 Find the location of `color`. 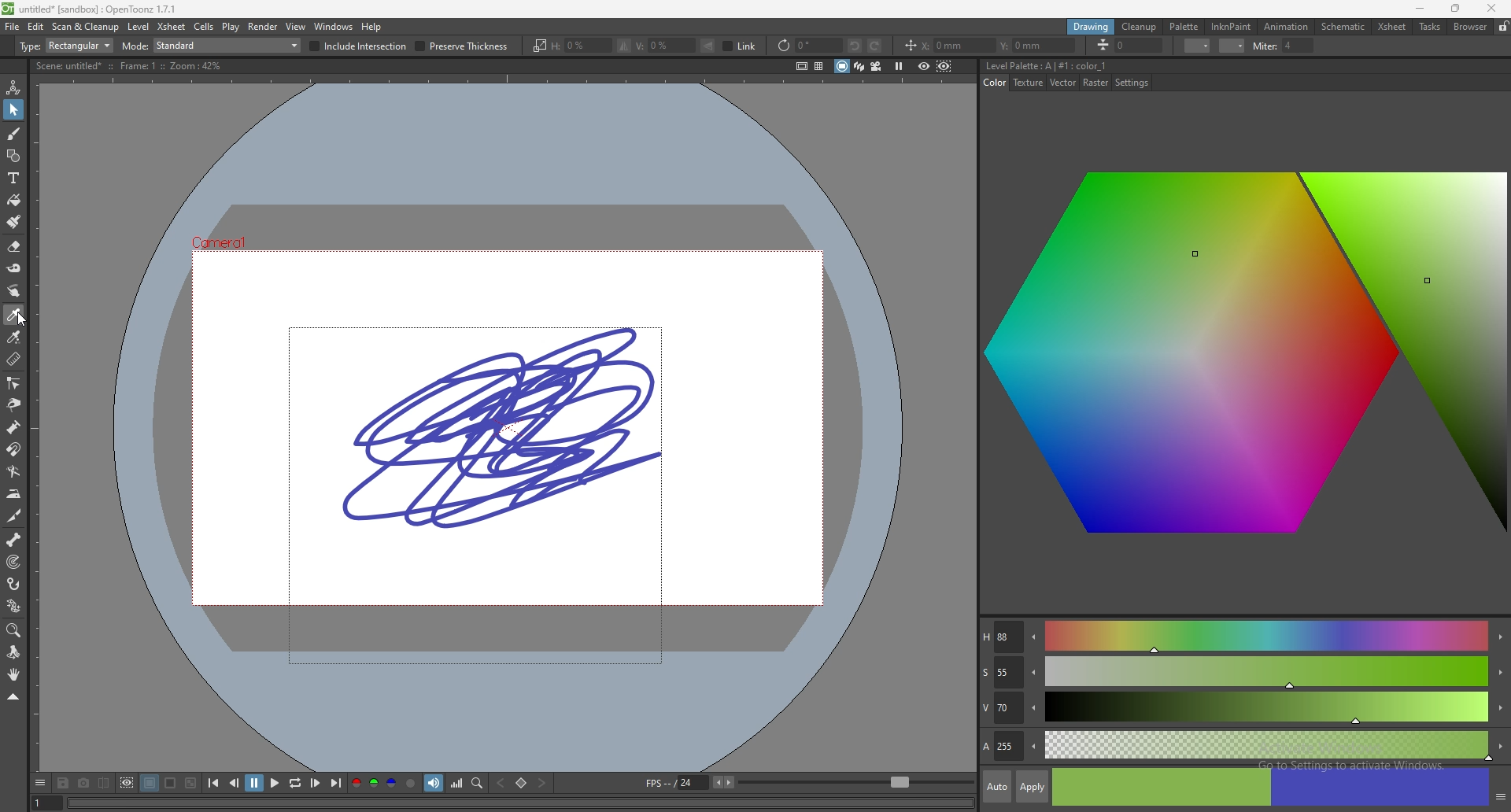

color is located at coordinates (996, 83).